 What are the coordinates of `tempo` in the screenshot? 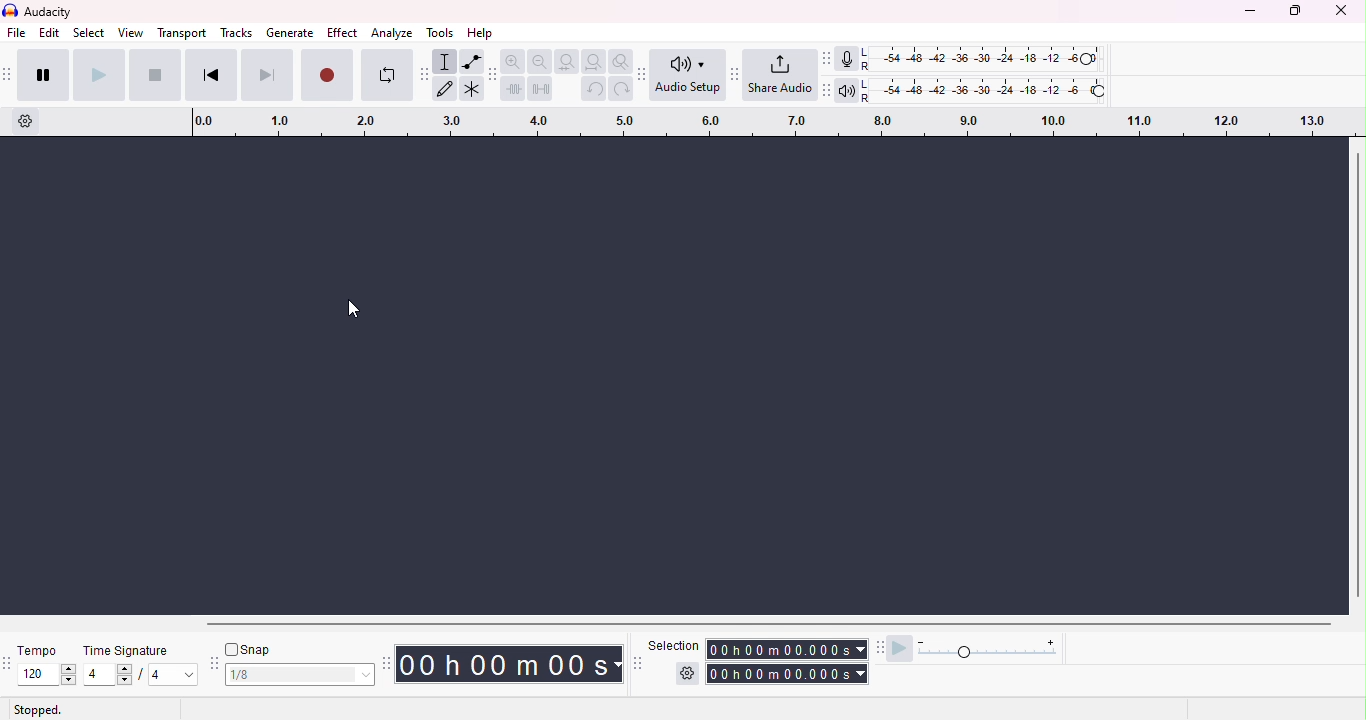 It's located at (38, 649).